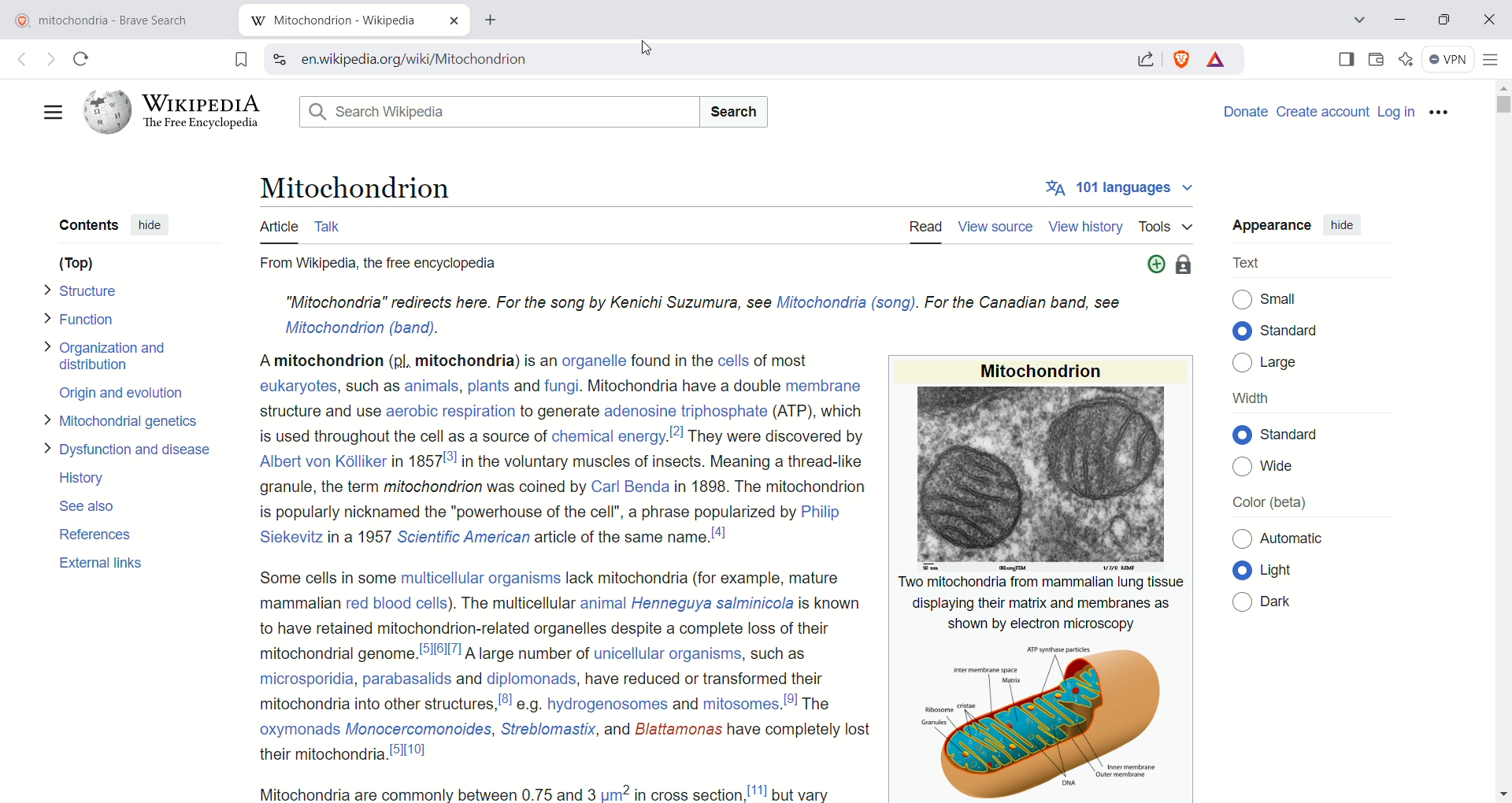  I want to click on Wikipidea logo, so click(173, 111).